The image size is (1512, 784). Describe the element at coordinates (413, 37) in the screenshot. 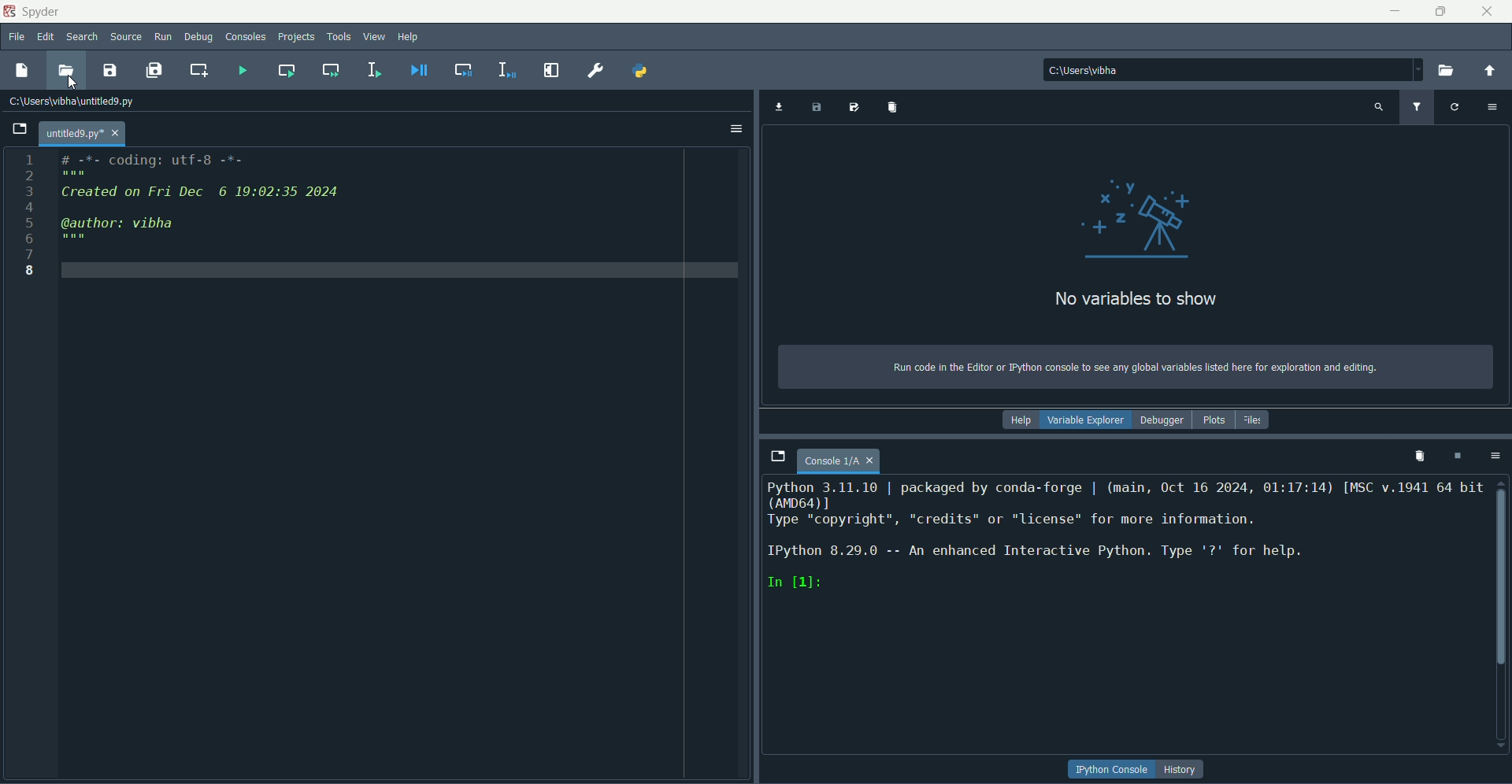

I see `help` at that location.